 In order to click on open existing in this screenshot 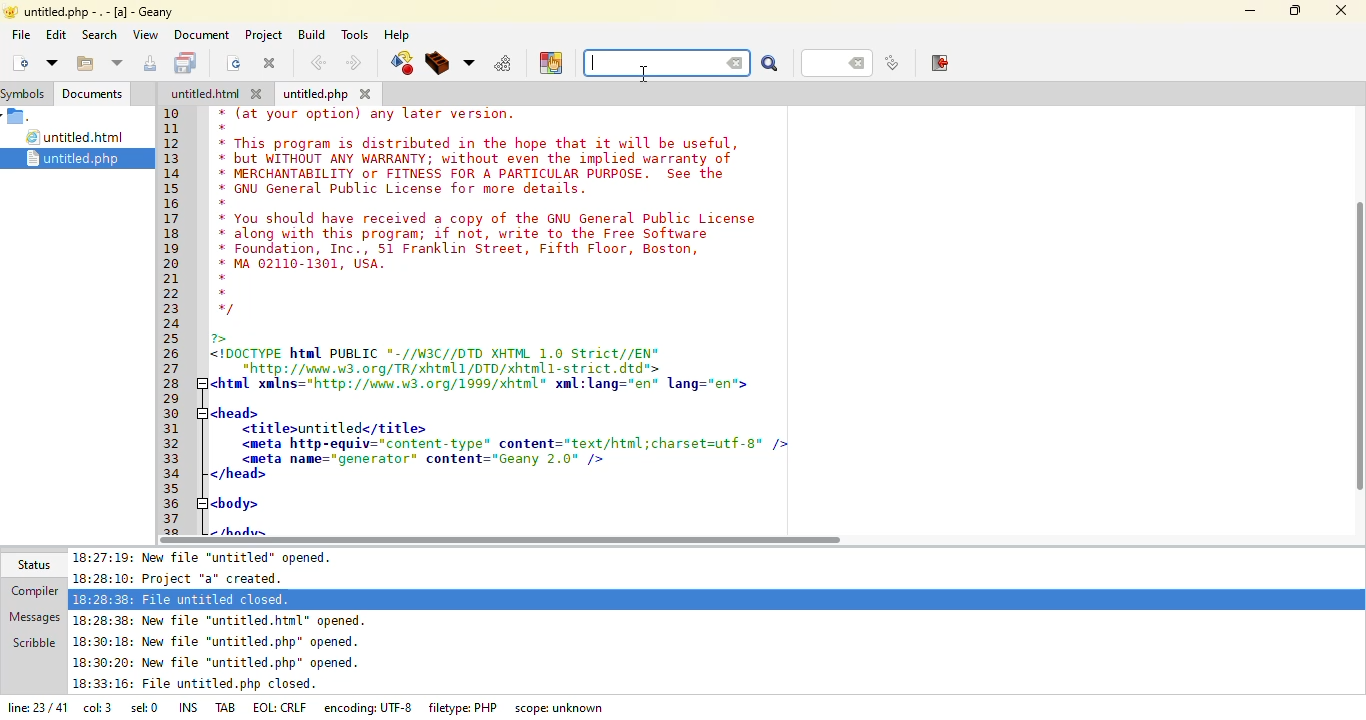, I will do `click(84, 64)`.